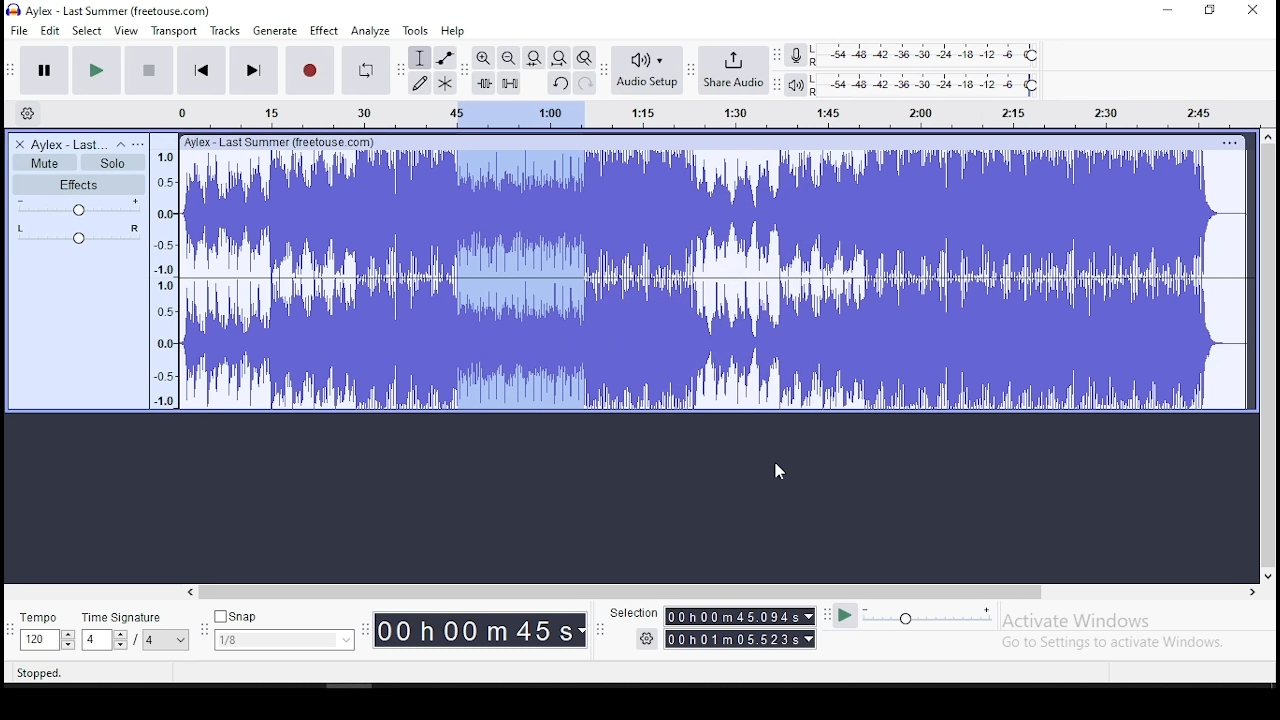 The width and height of the screenshot is (1280, 720). Describe the element at coordinates (559, 57) in the screenshot. I see `fit project to width` at that location.